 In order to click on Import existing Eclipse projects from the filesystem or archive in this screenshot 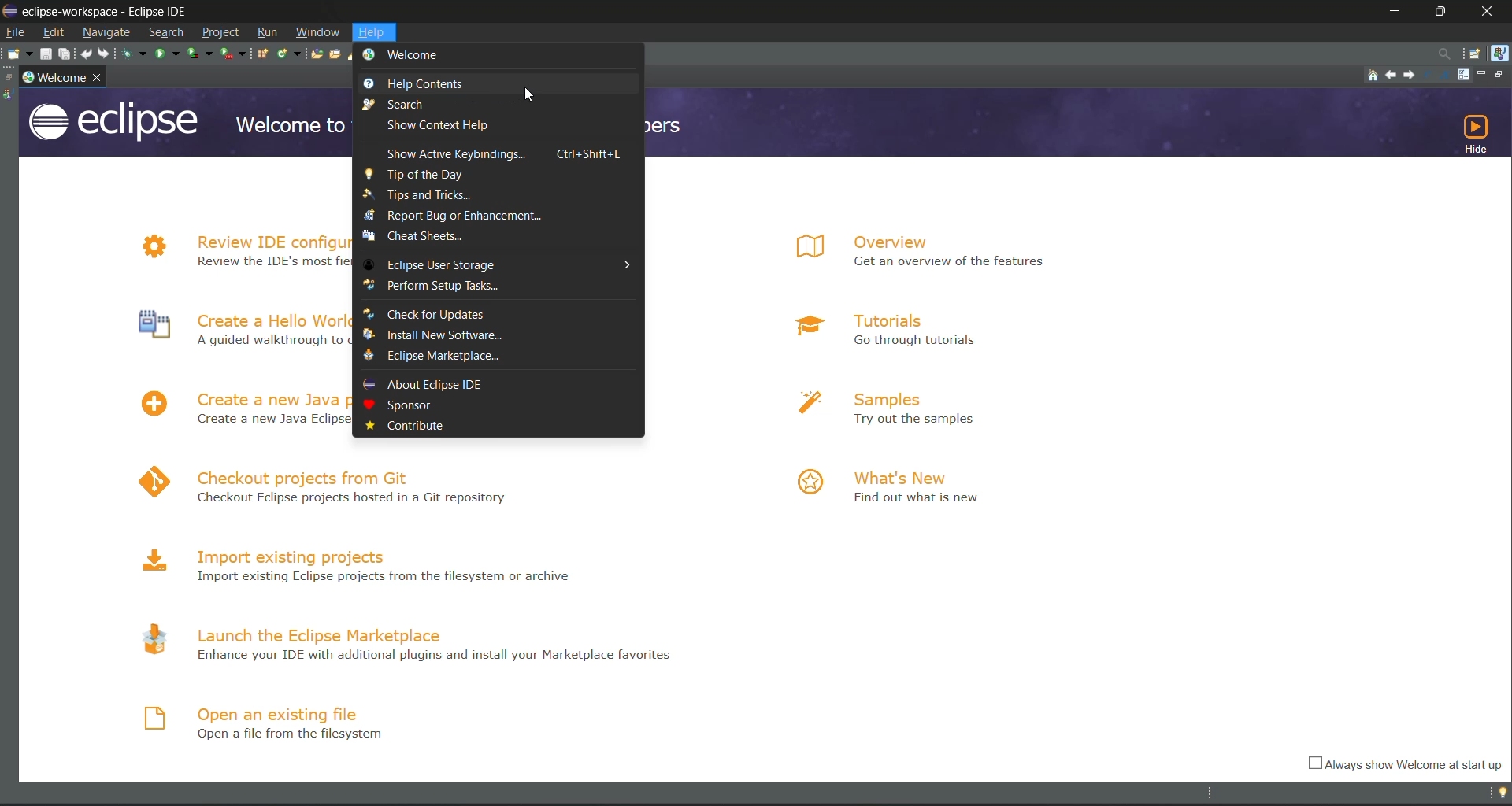, I will do `click(387, 577)`.